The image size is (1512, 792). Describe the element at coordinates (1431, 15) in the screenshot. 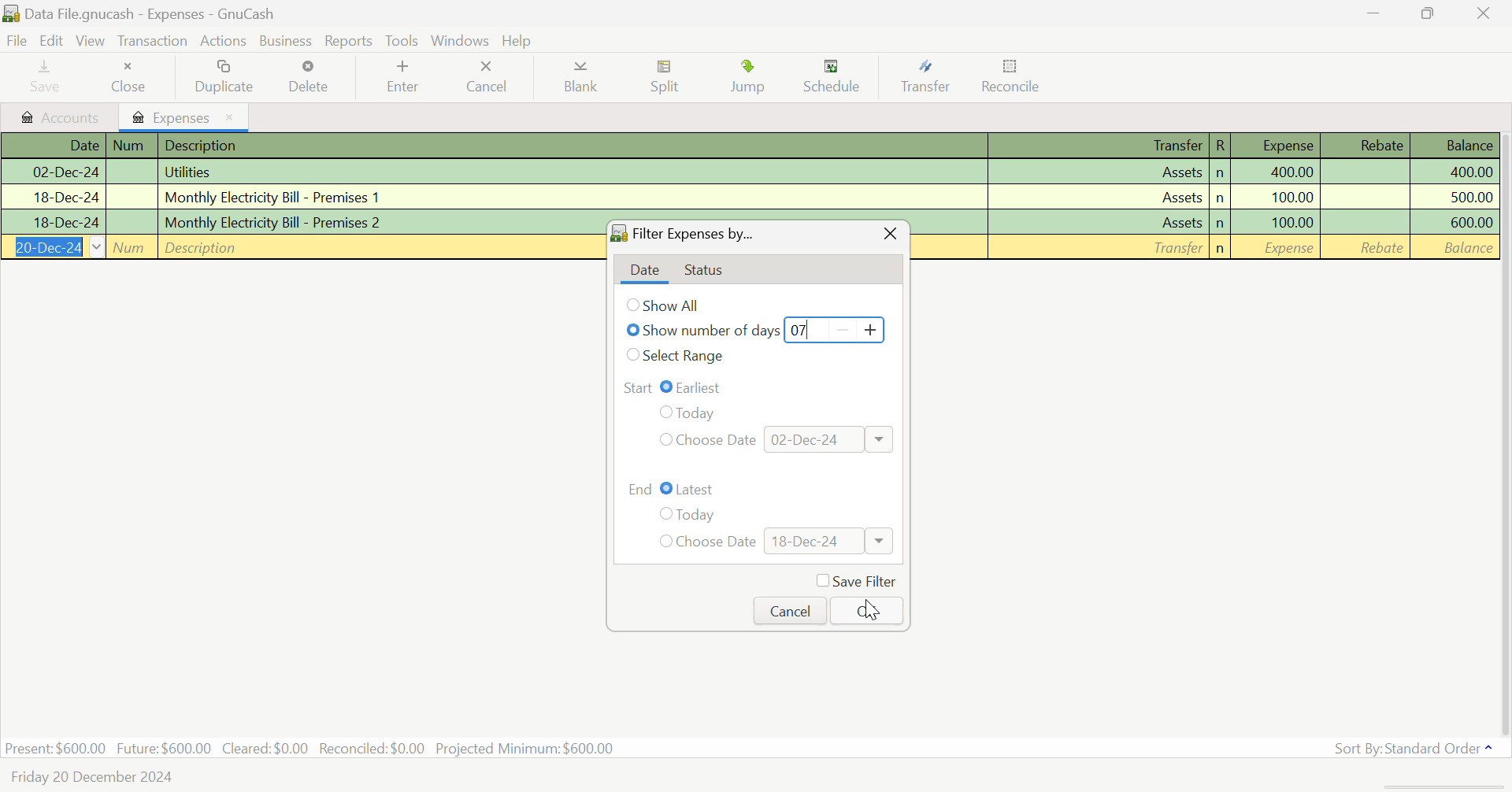

I see `Minimize` at that location.